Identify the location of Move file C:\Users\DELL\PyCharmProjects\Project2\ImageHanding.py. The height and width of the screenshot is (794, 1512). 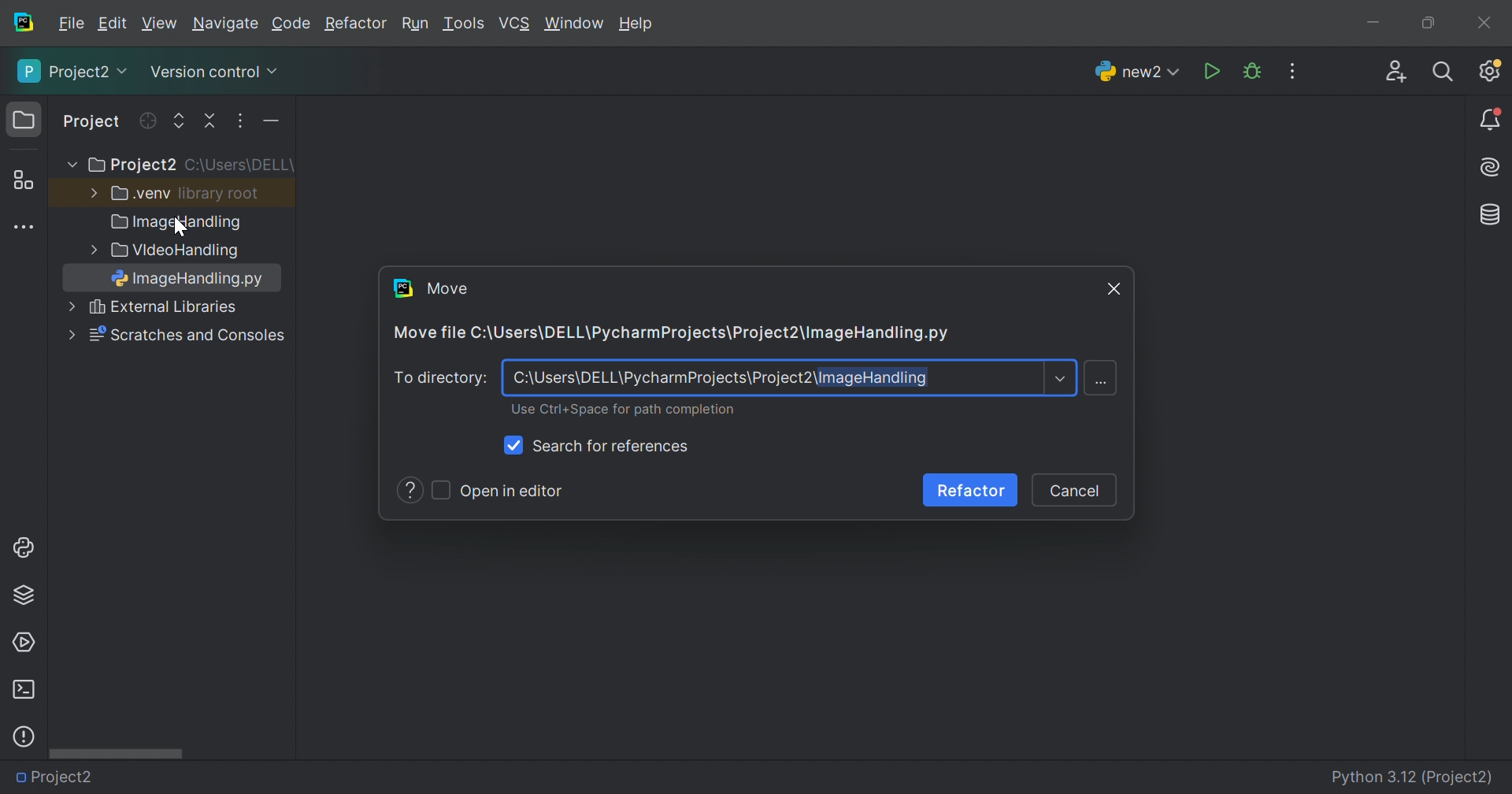
(671, 334).